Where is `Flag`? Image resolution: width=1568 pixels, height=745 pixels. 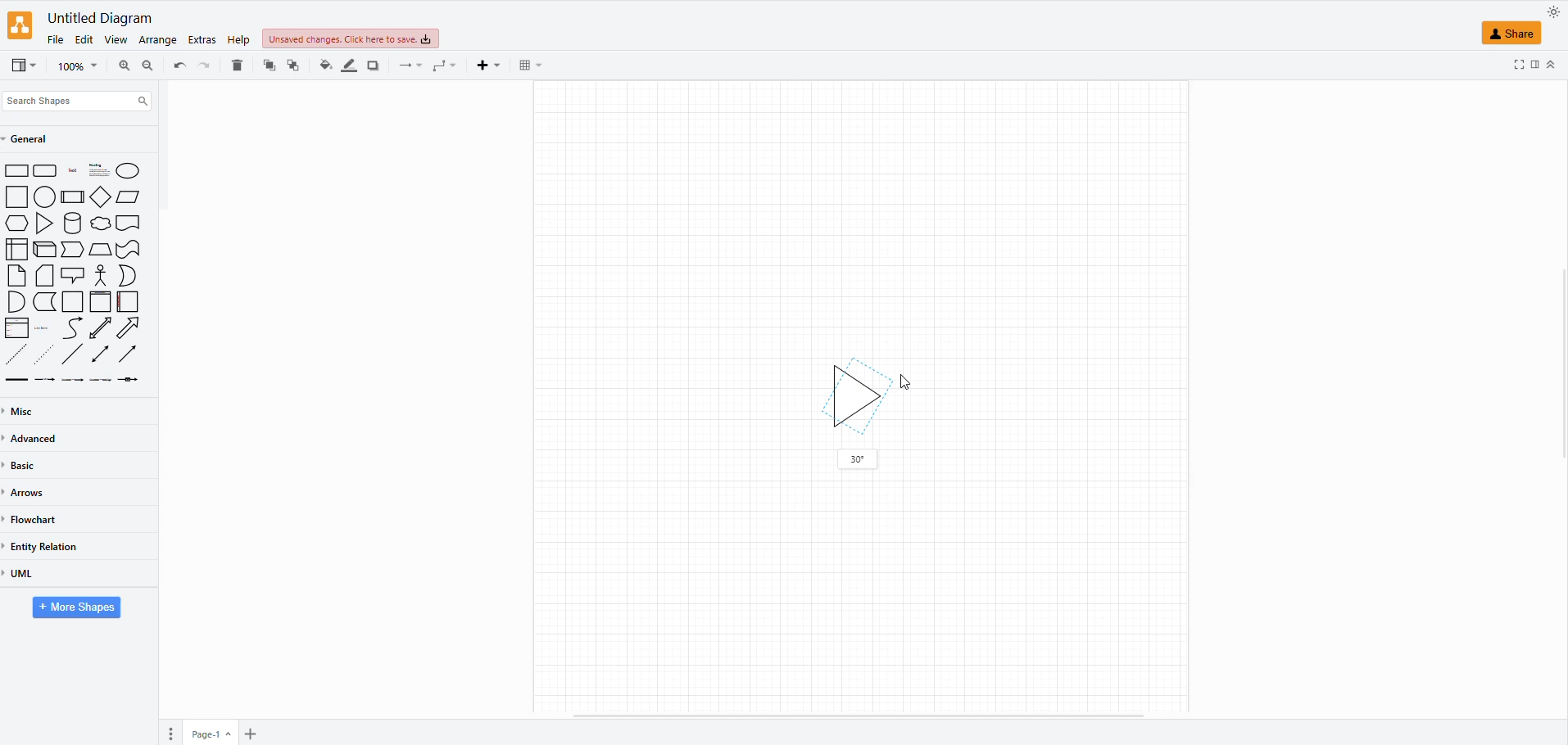 Flag is located at coordinates (129, 251).